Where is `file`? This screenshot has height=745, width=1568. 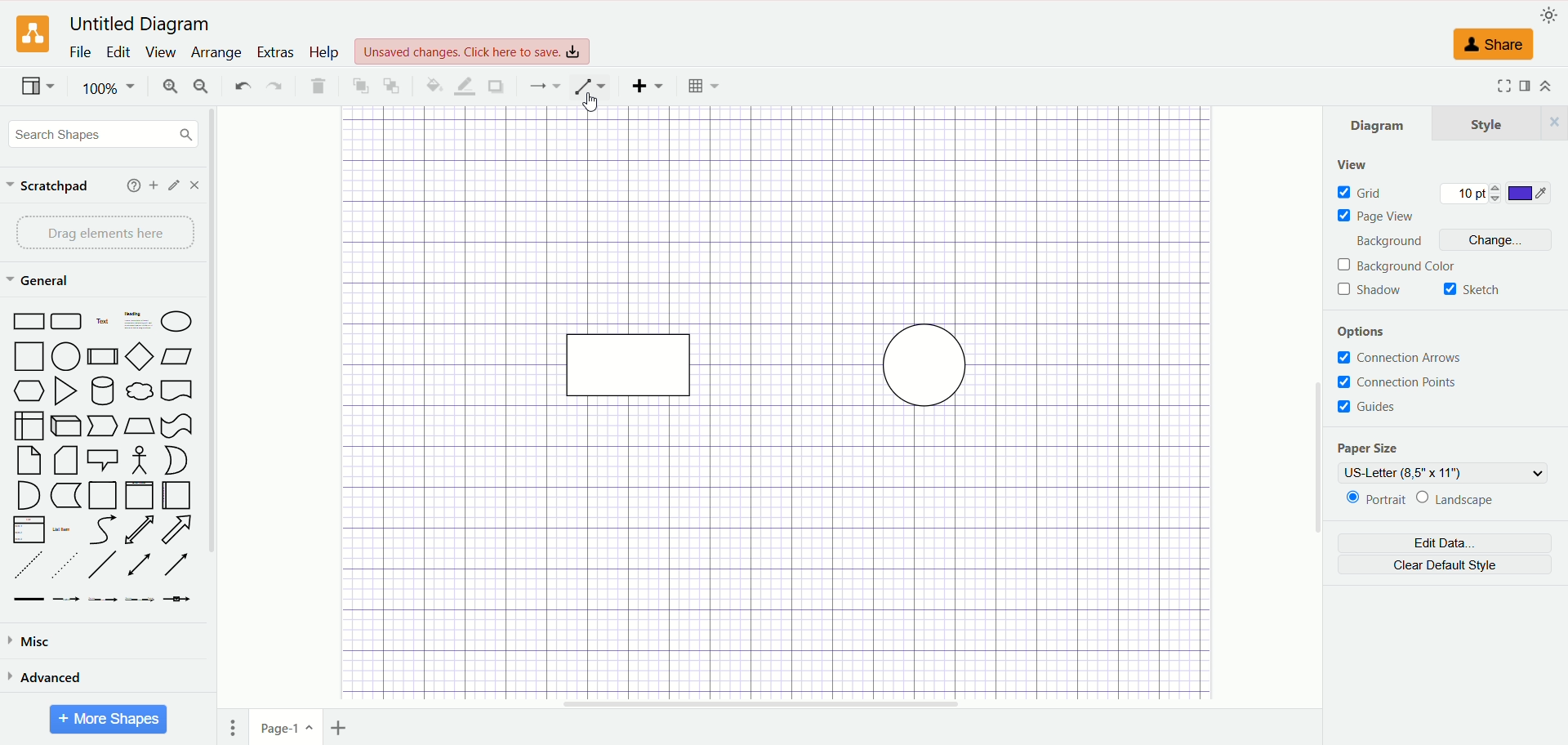
file is located at coordinates (80, 53).